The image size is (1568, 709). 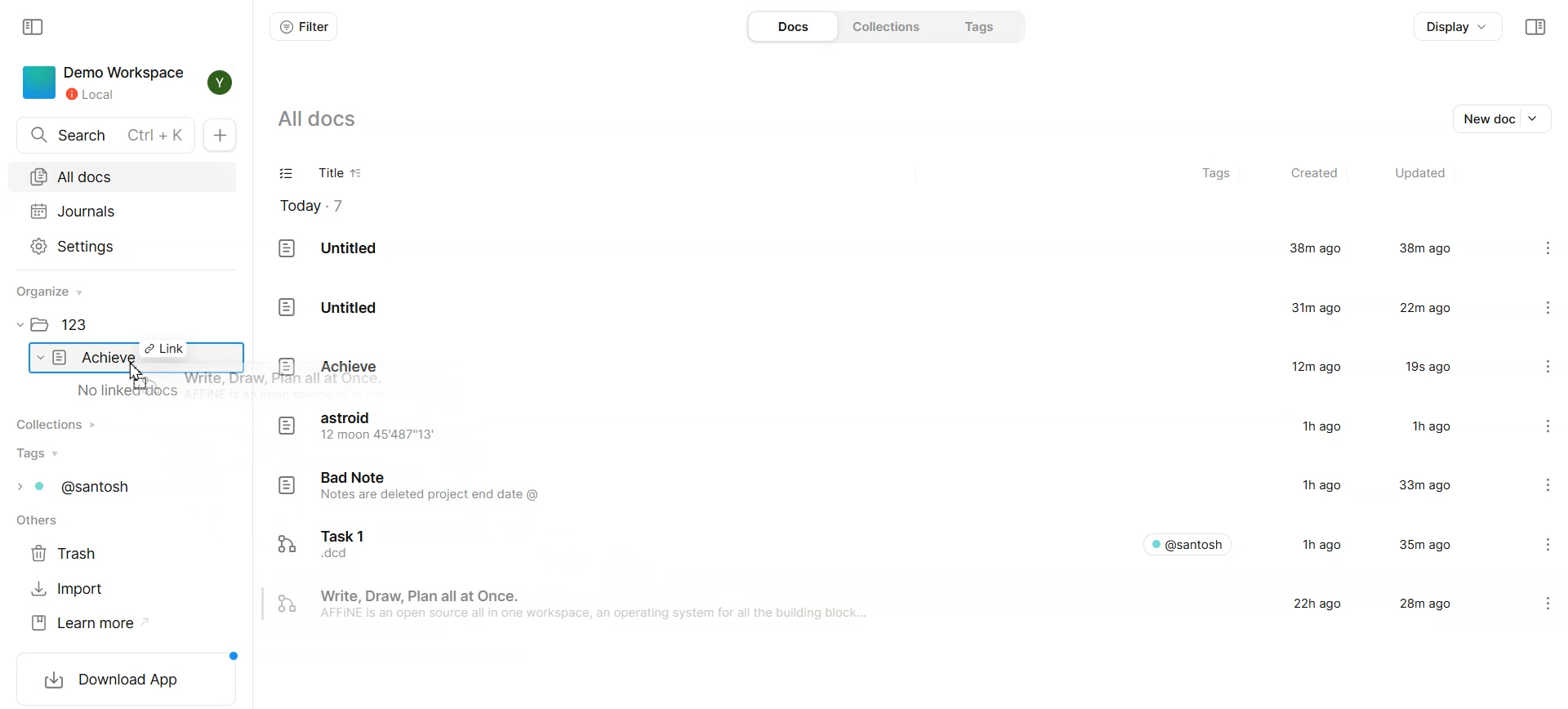 I want to click on Checklist, so click(x=287, y=175).